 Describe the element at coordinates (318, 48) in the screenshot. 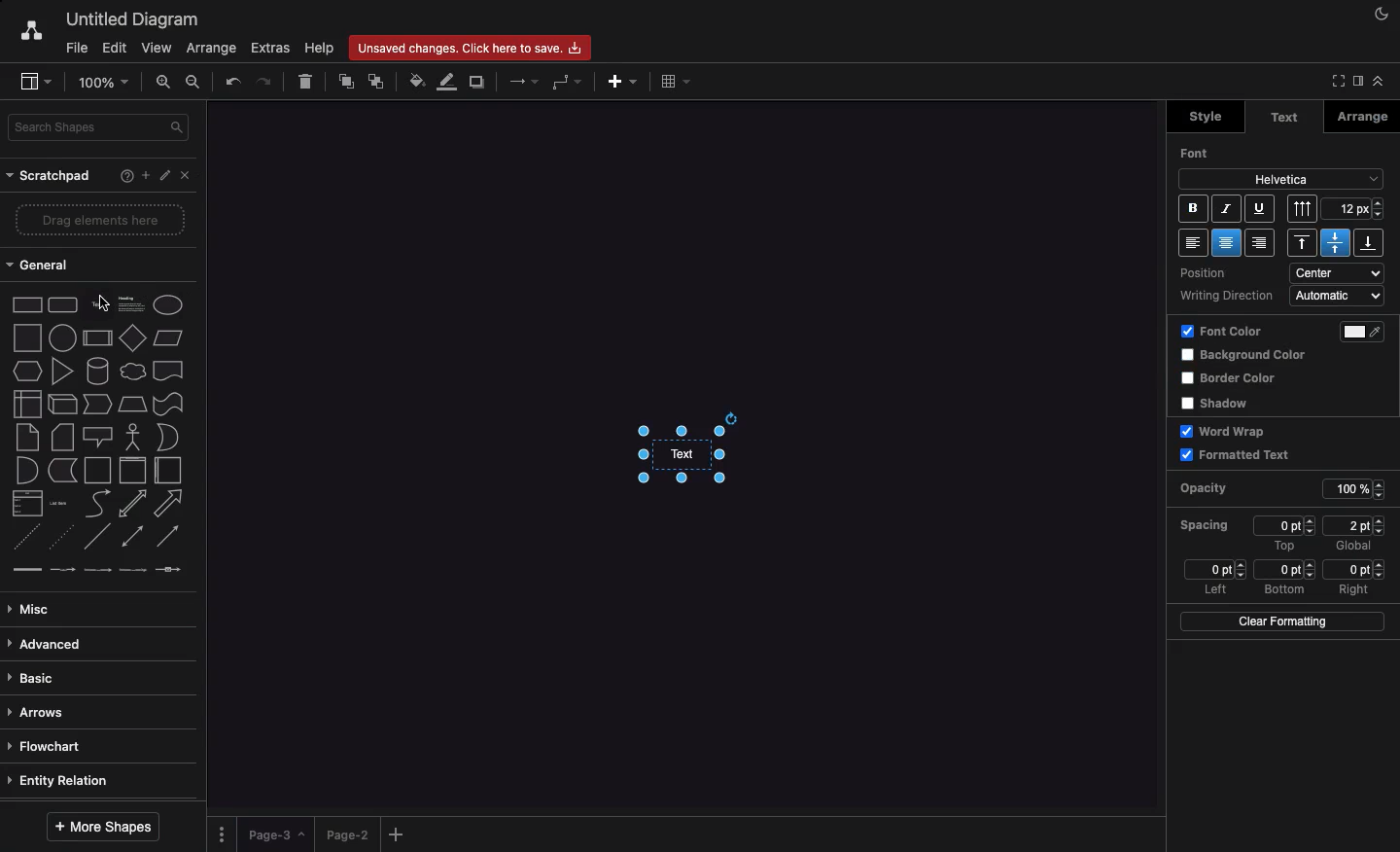

I see `Help` at that location.